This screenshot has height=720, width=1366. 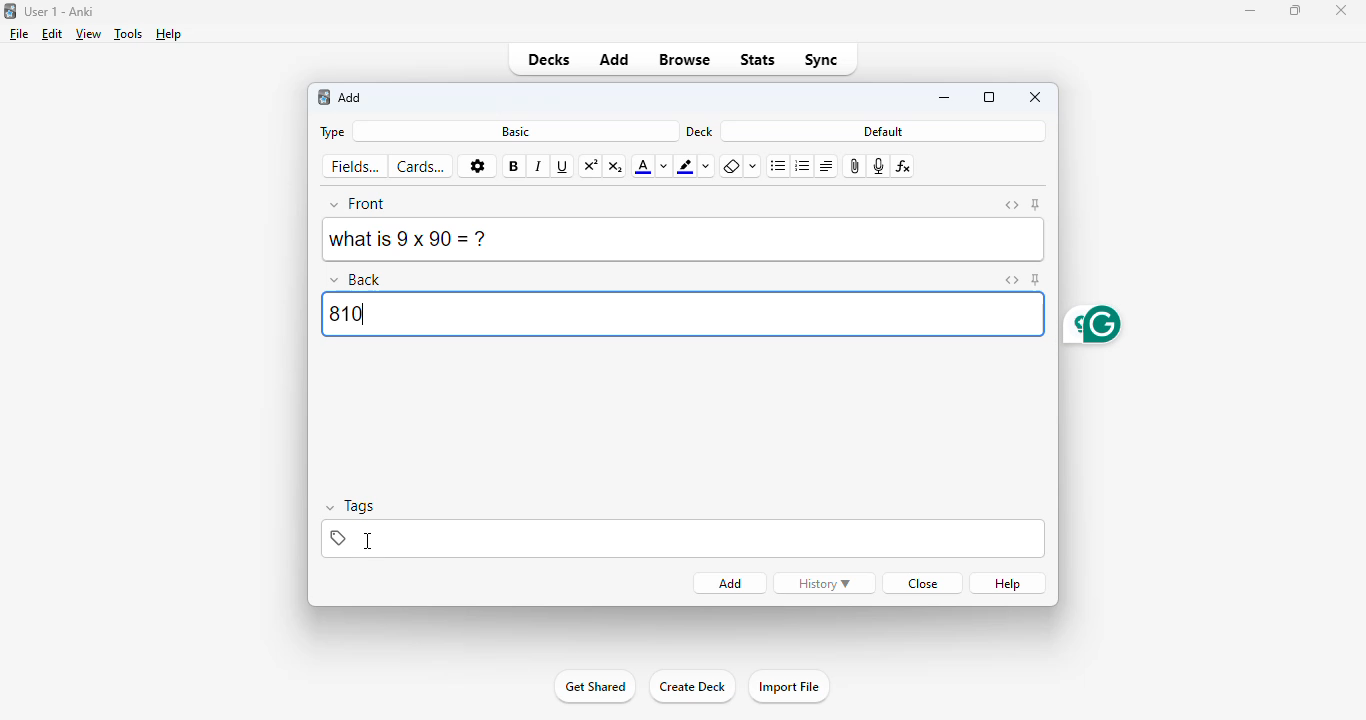 What do you see at coordinates (788, 687) in the screenshot?
I see `import file` at bounding box center [788, 687].